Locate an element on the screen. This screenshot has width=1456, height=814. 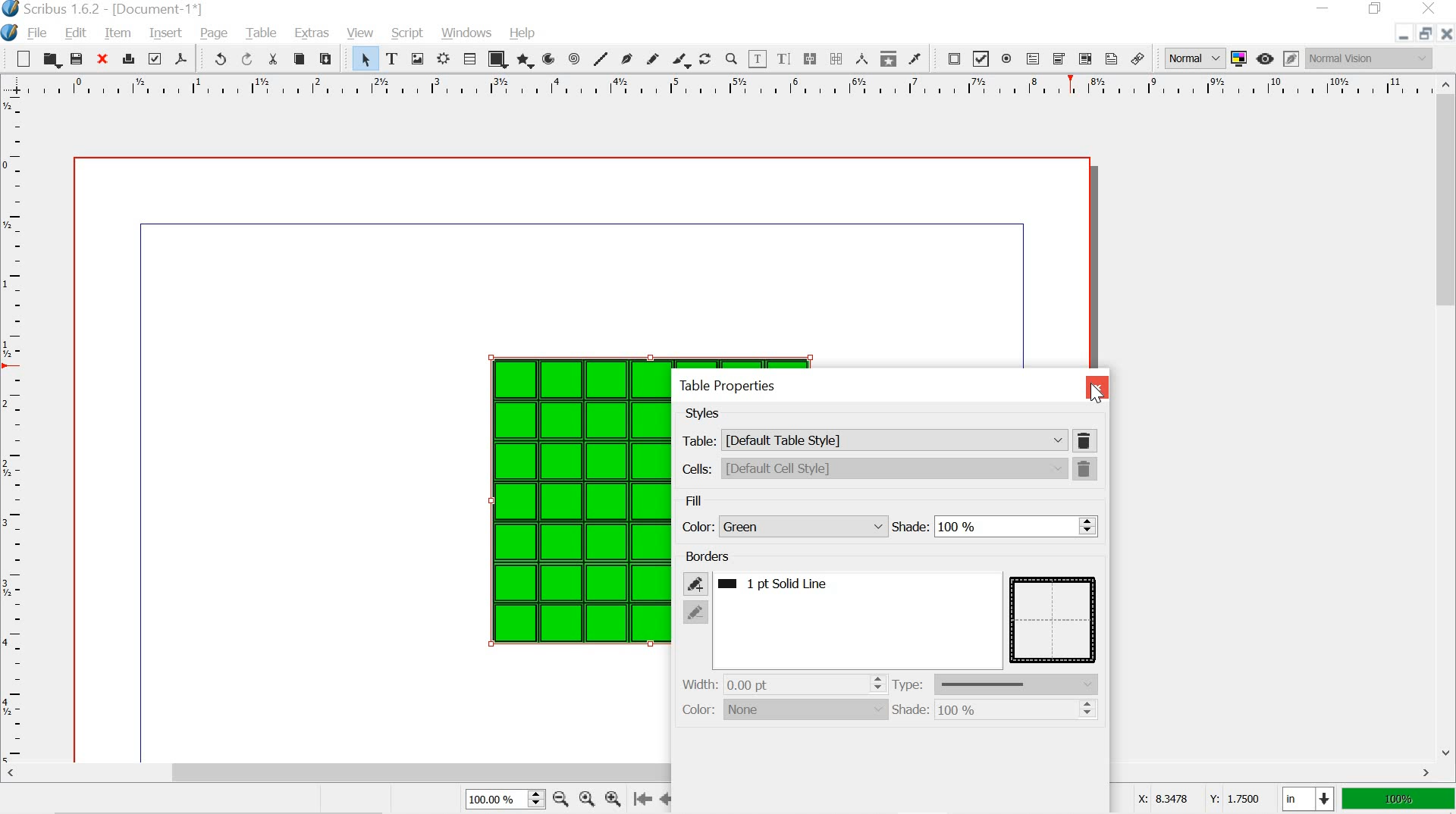
calligraphic line is located at coordinates (679, 59).